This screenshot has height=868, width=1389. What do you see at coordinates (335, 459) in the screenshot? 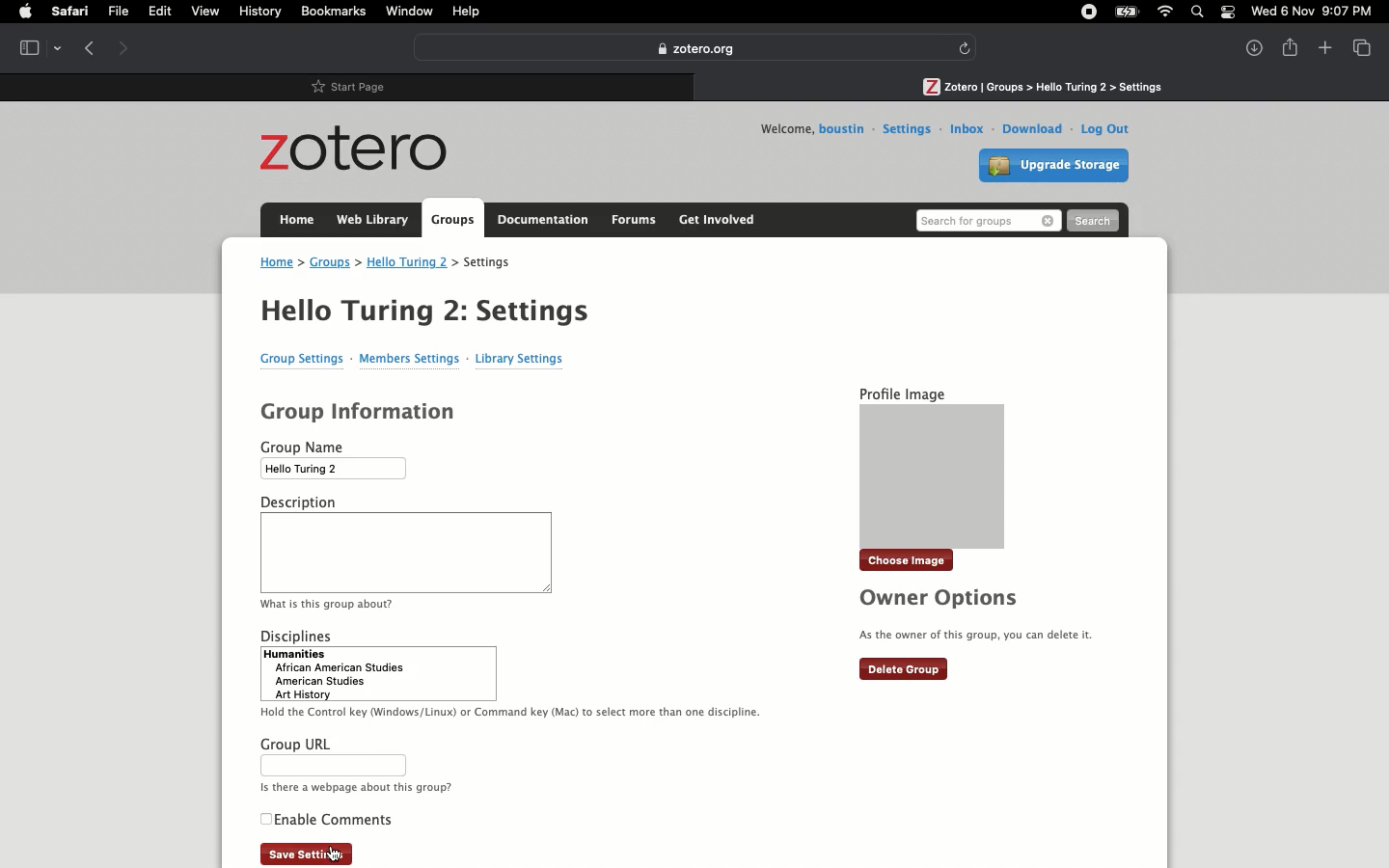
I see `Group name` at bounding box center [335, 459].